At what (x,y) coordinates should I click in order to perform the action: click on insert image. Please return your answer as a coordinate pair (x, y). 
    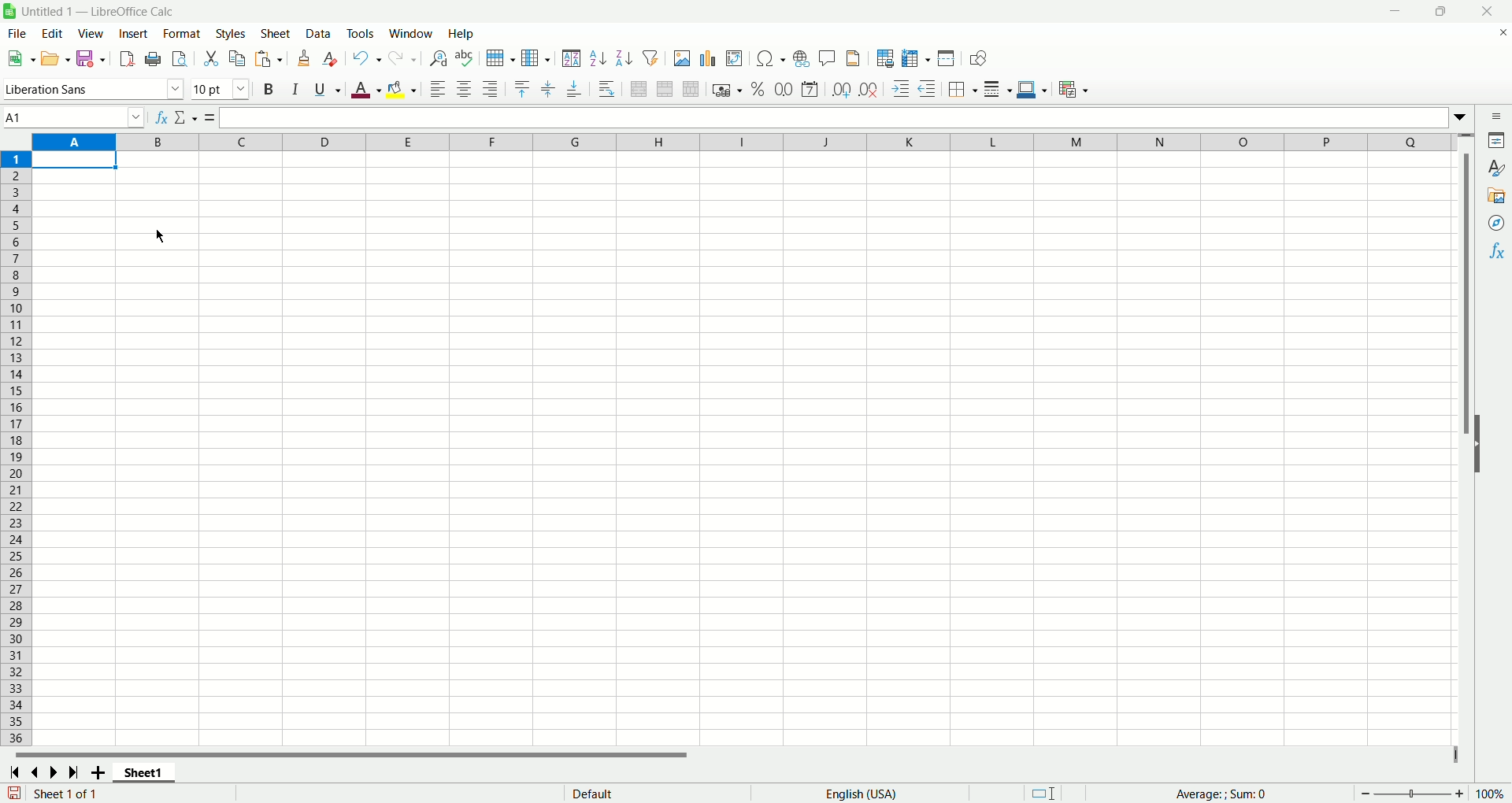
    Looking at the image, I should click on (683, 57).